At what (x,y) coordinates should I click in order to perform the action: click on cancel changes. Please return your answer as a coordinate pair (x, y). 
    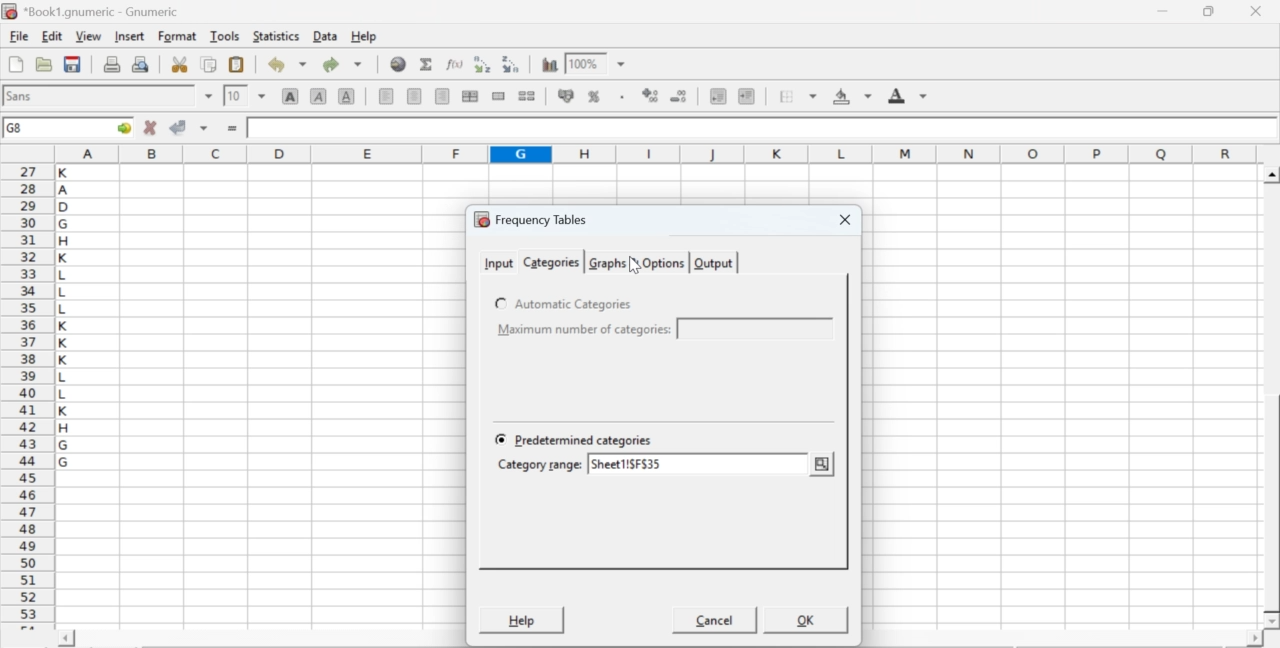
    Looking at the image, I should click on (151, 127).